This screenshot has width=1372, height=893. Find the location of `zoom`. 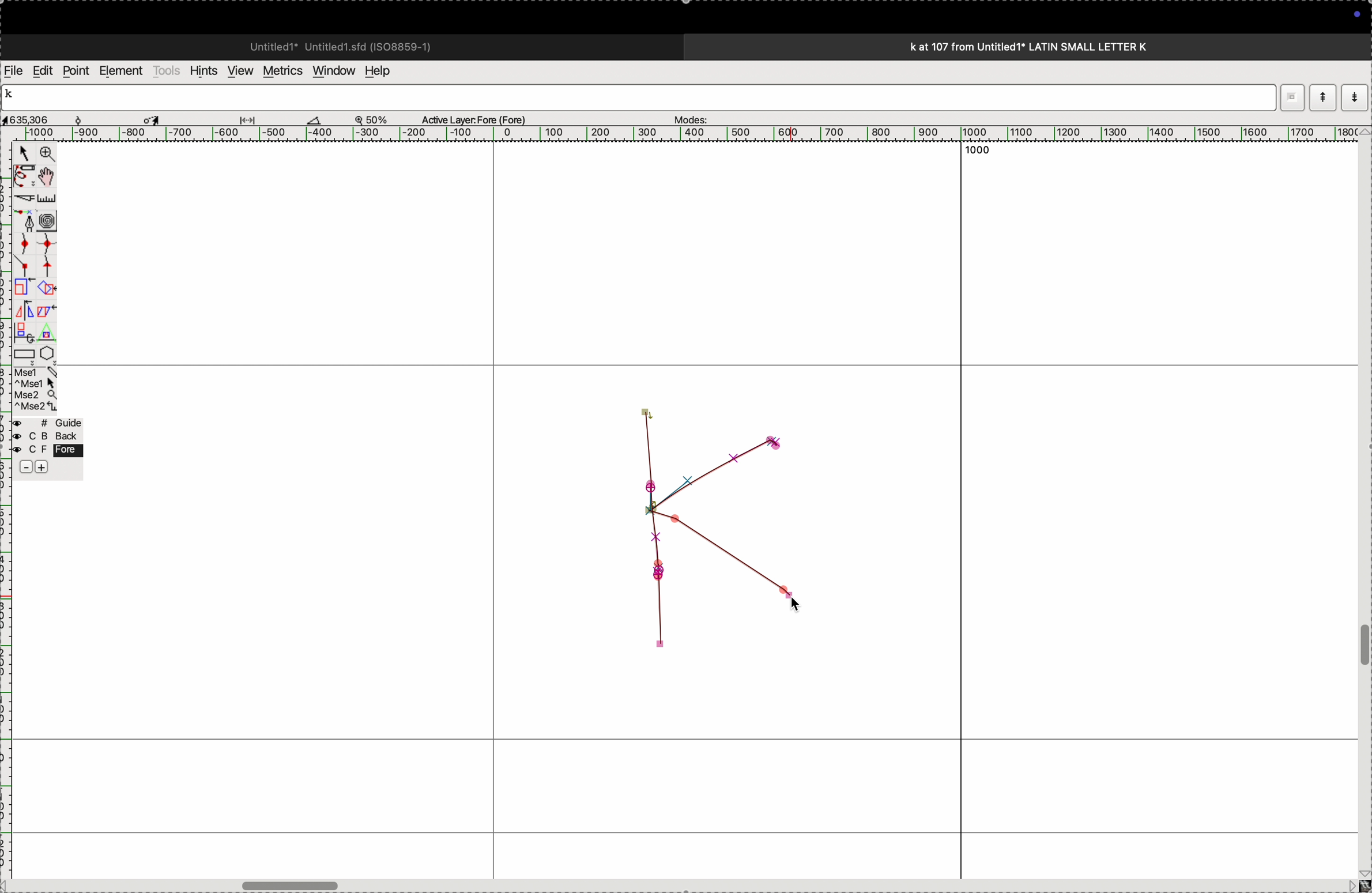

zoom is located at coordinates (45, 155).